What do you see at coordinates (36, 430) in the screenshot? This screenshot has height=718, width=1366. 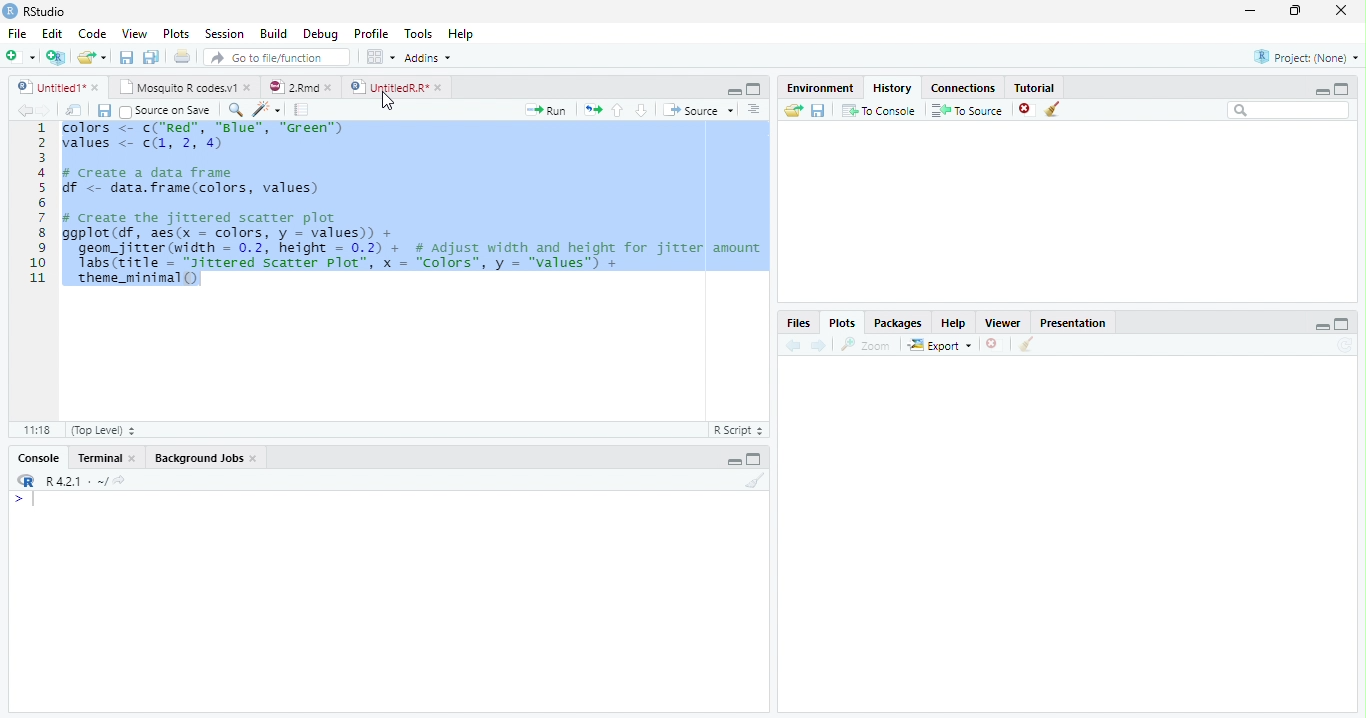 I see `1:1` at bounding box center [36, 430].